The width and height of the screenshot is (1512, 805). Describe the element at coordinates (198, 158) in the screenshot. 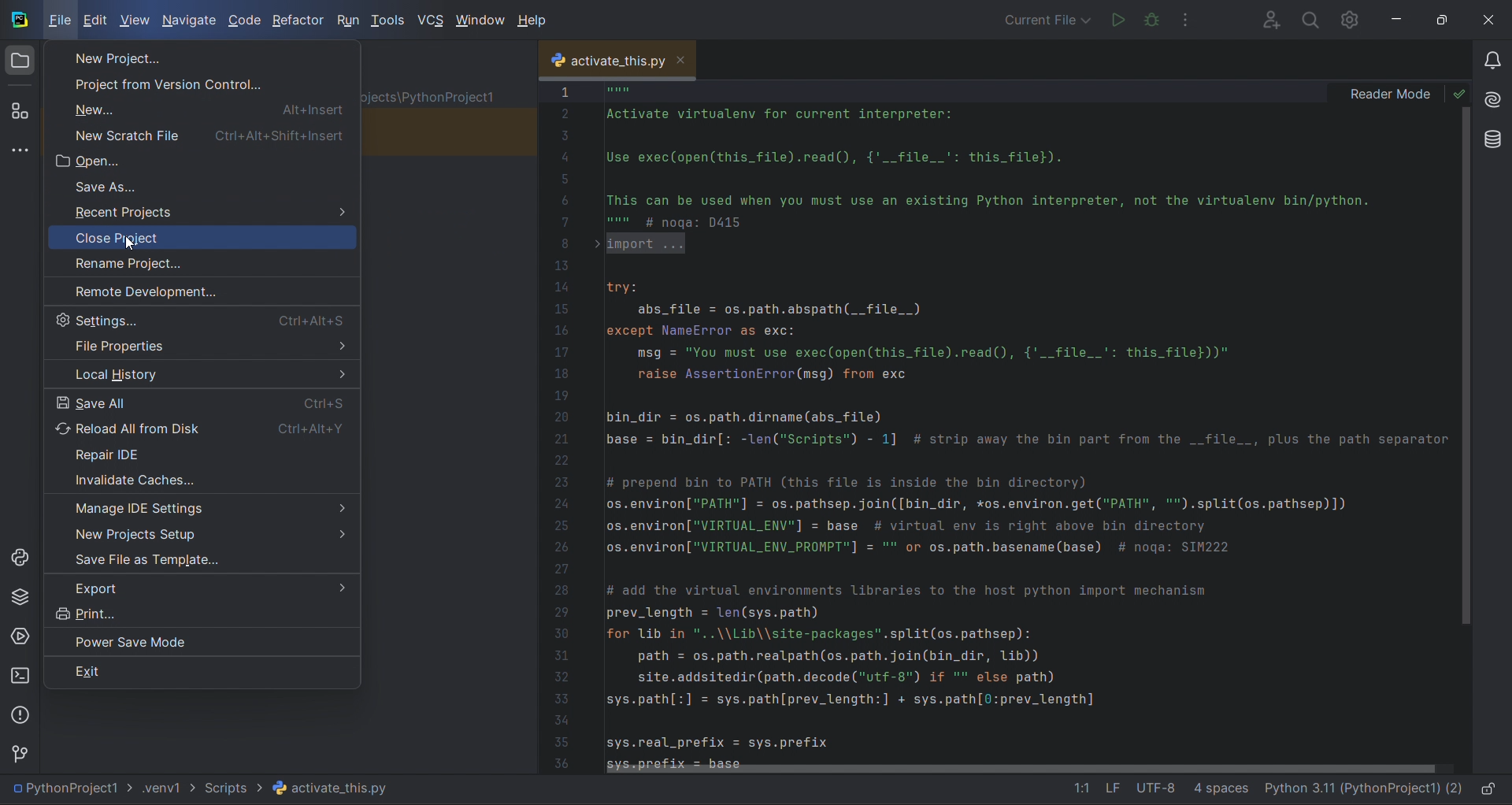

I see `open` at that location.